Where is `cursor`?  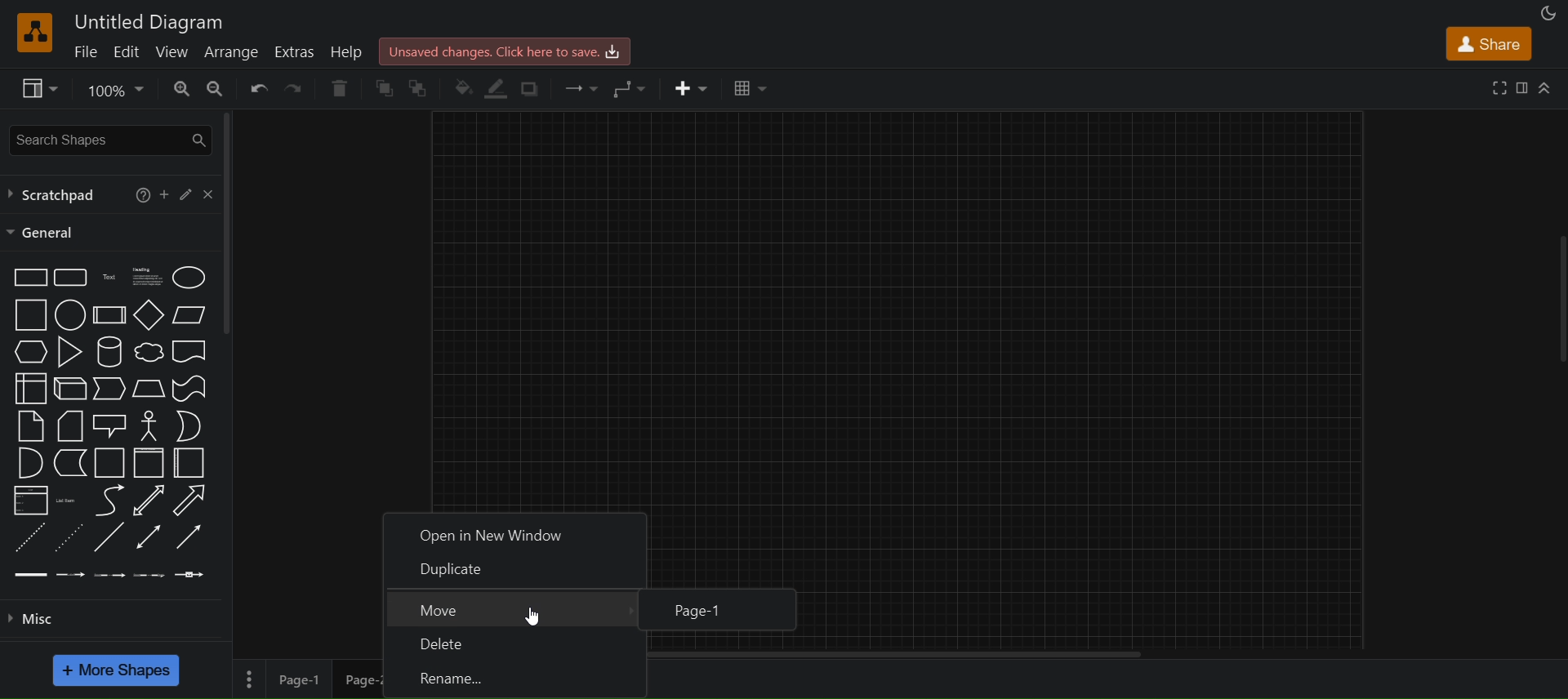 cursor is located at coordinates (532, 617).